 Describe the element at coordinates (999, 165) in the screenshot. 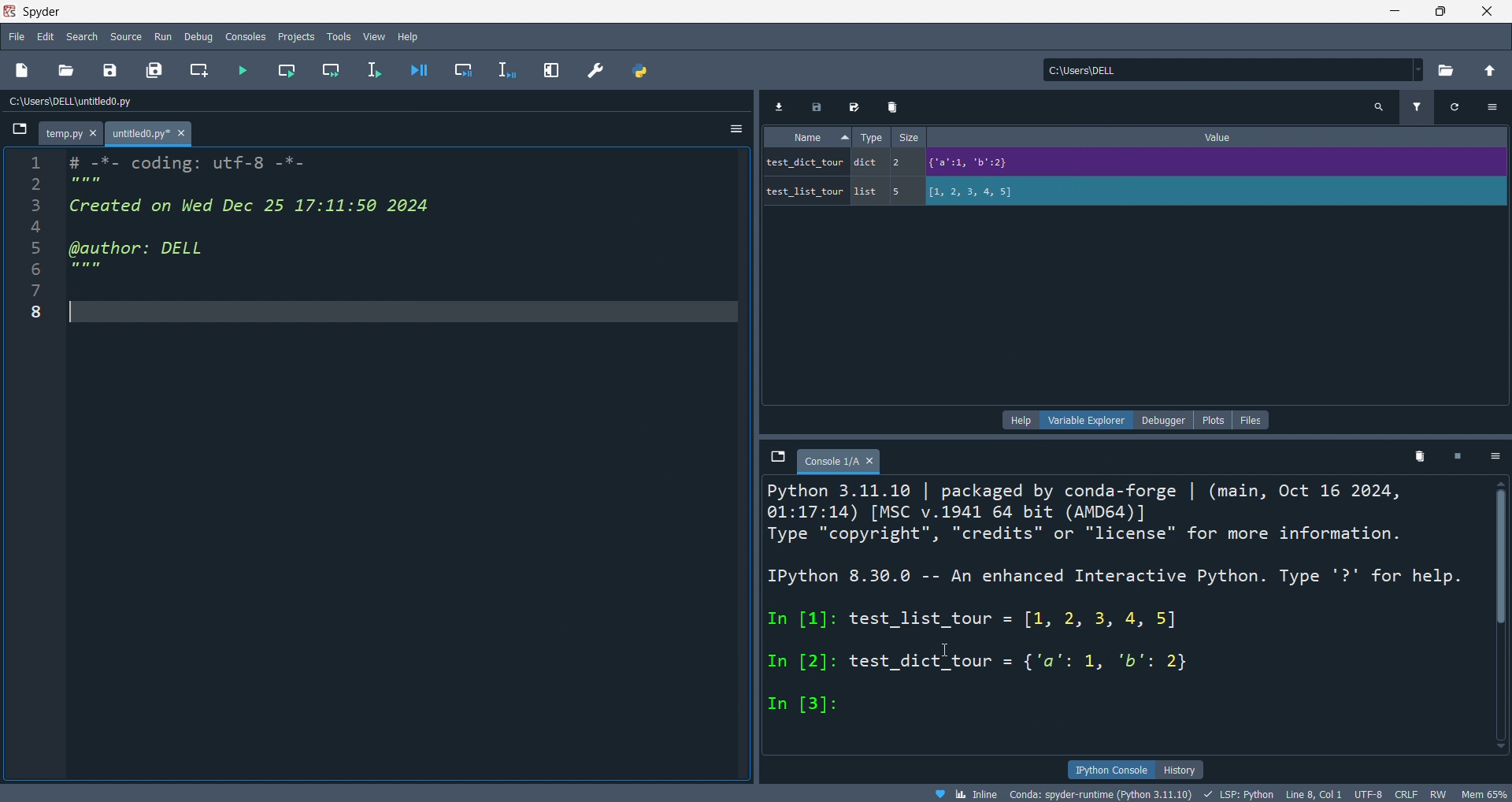

I see `test_dict_tour dict 2 = {'a':1, 'b":2}` at that location.